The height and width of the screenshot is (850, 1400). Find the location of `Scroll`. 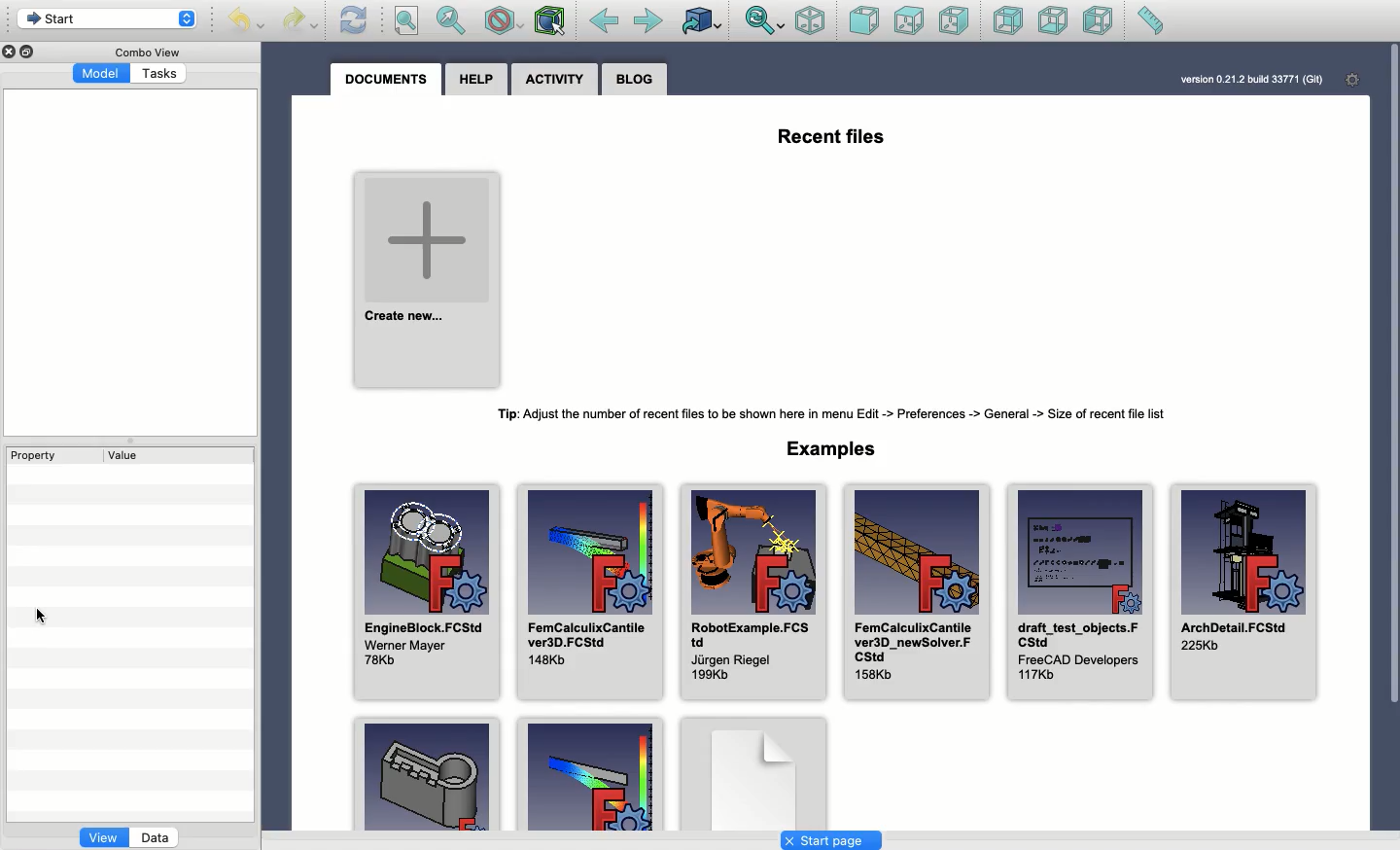

Scroll is located at coordinates (1391, 374).